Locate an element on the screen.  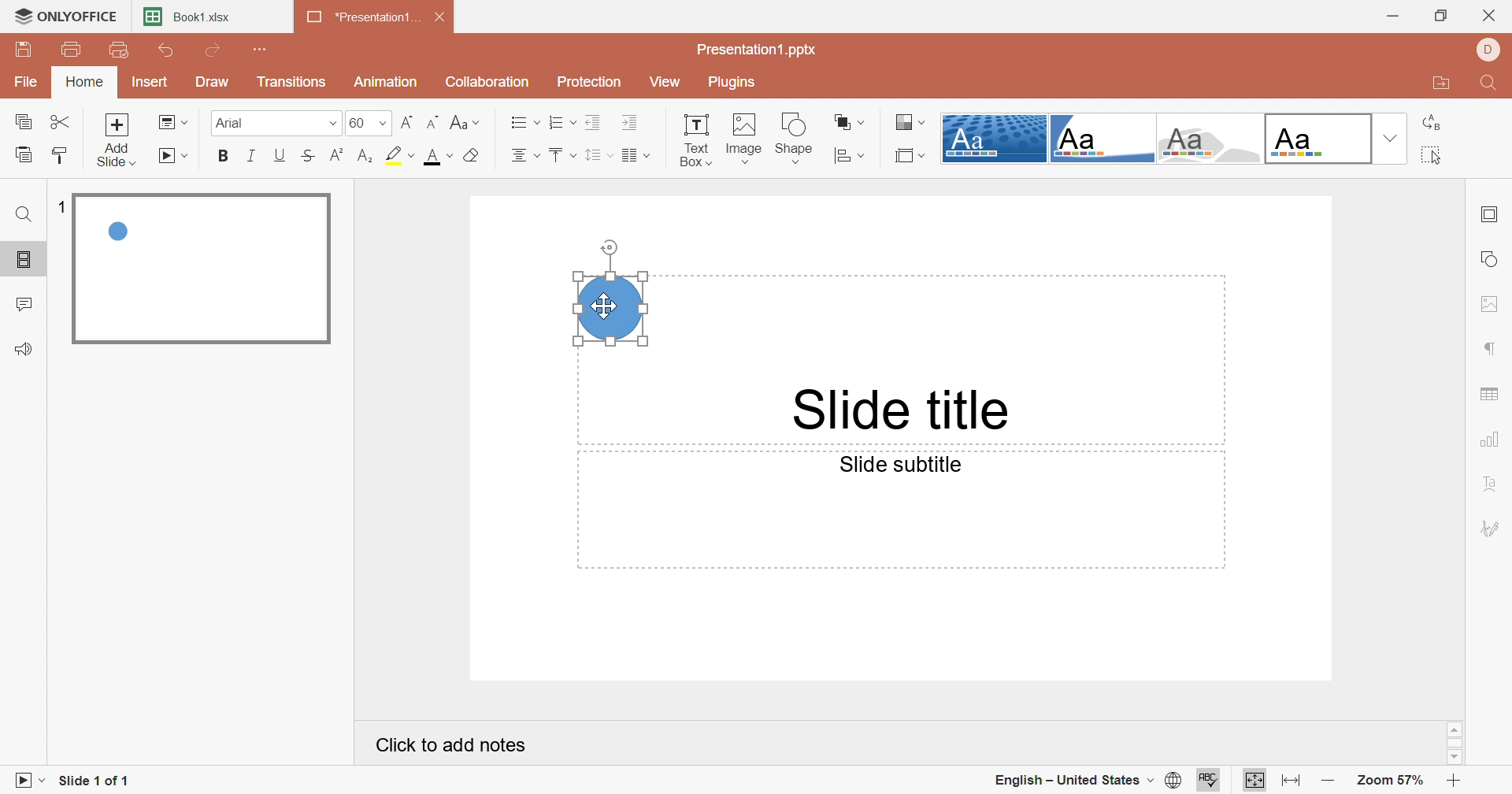
Scroll down is located at coordinates (1453, 756).